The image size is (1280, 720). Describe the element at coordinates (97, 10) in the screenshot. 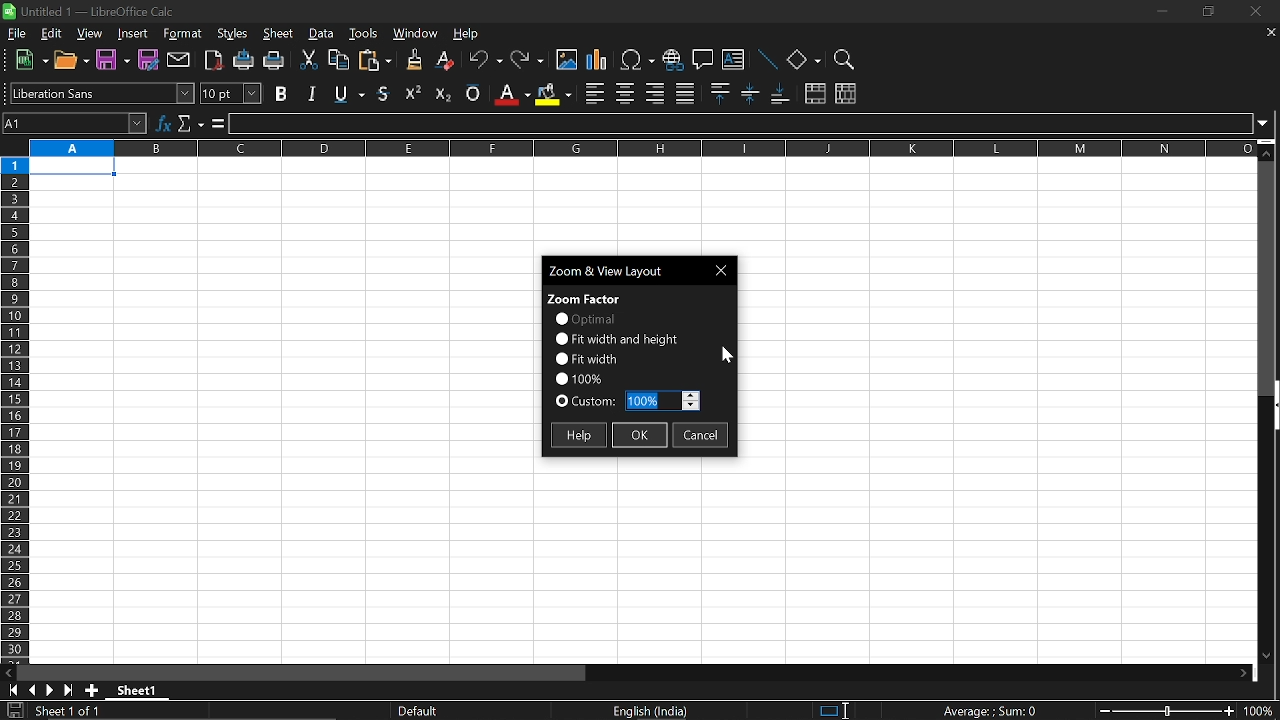

I see `Current window` at that location.